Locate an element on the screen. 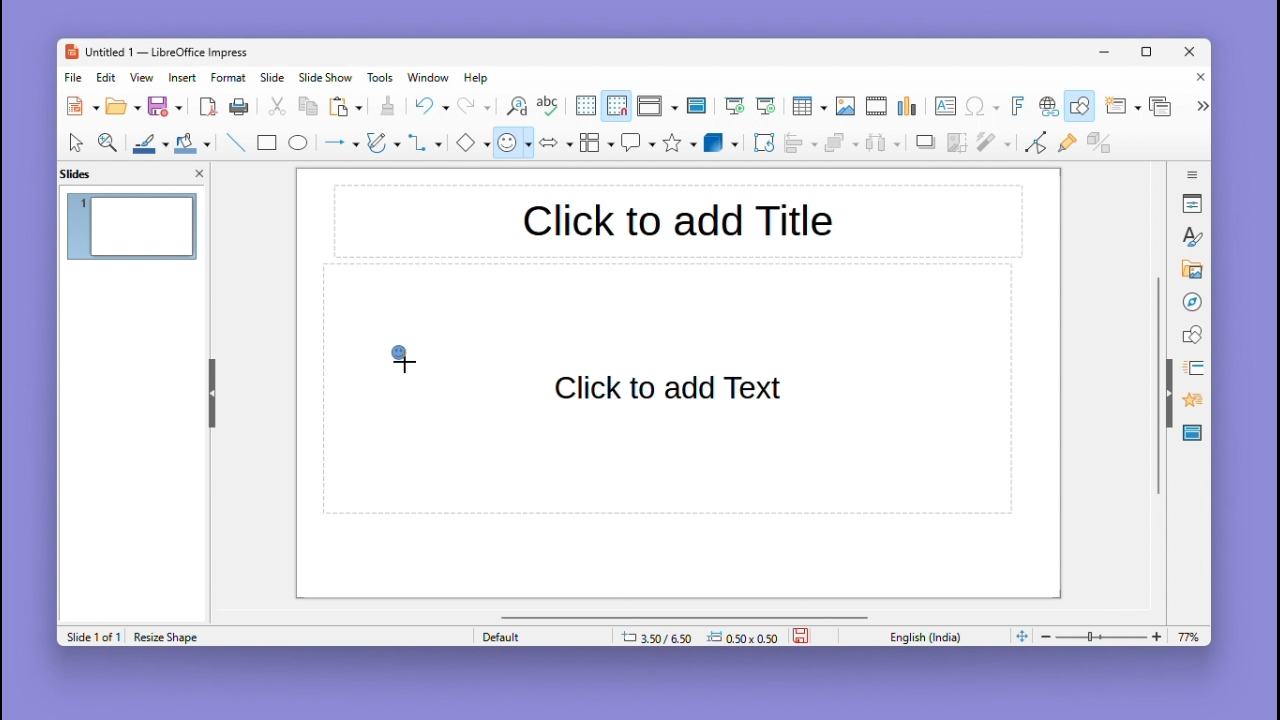 This screenshot has width=1280, height=720. Circle is located at coordinates (300, 145).